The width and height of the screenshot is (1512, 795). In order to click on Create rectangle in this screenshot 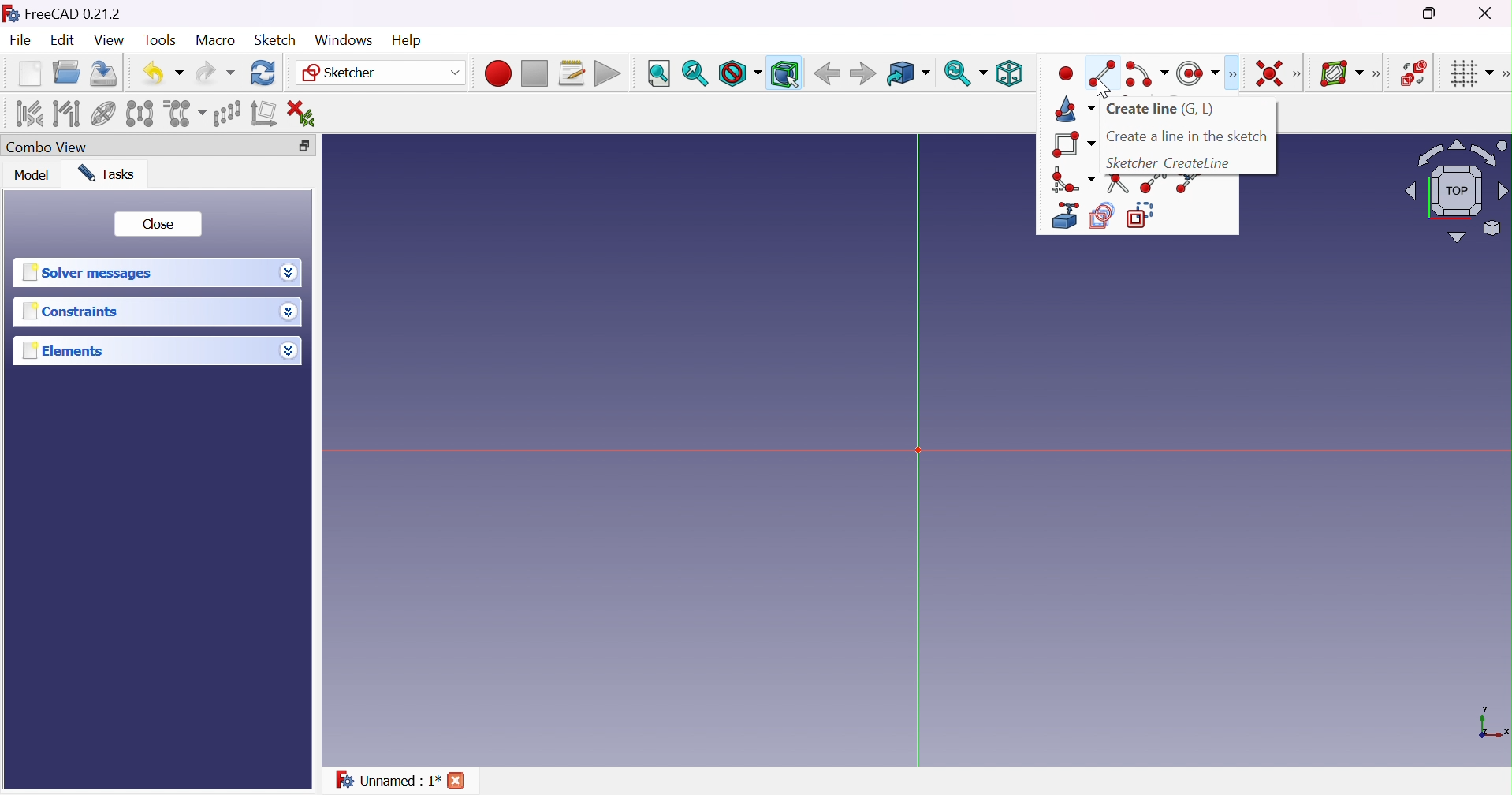, I will do `click(1073, 145)`.